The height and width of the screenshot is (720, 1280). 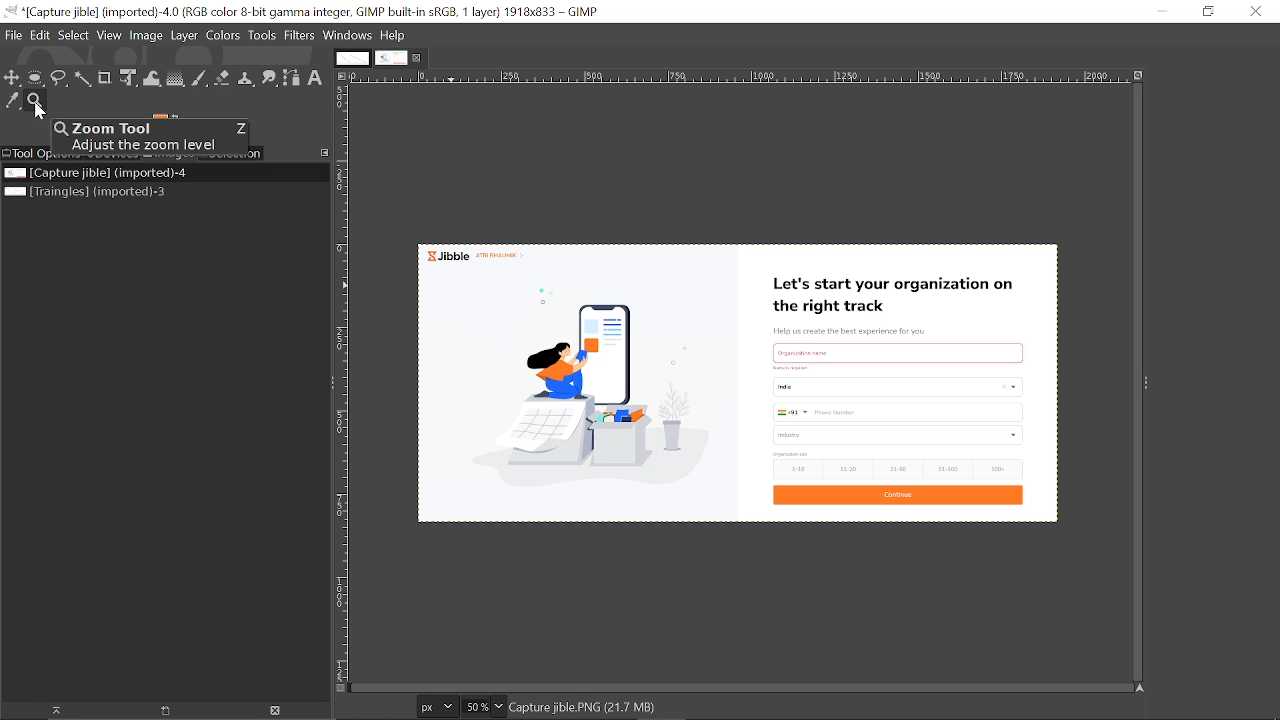 What do you see at coordinates (14, 36) in the screenshot?
I see `File` at bounding box center [14, 36].